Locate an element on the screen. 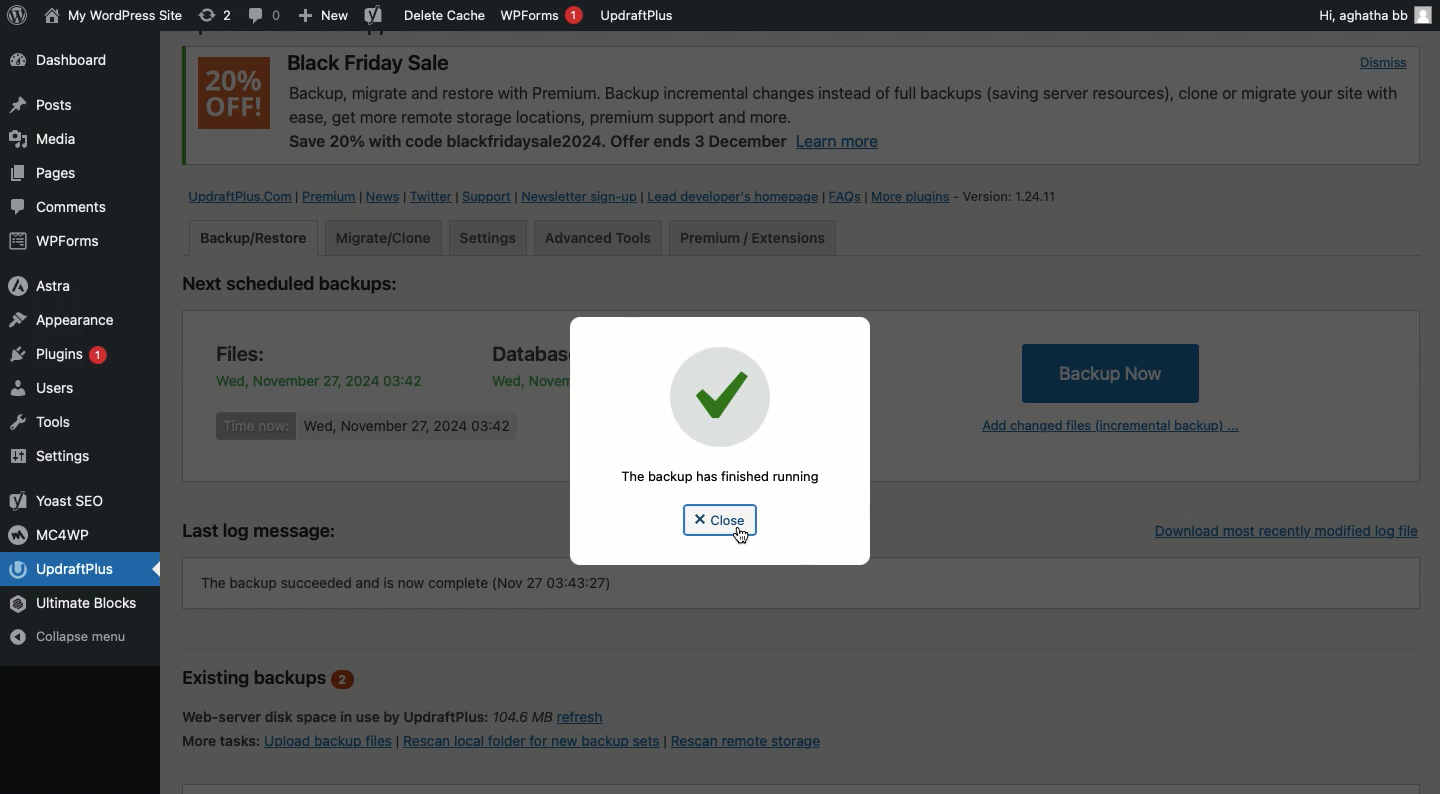 This screenshot has height=794, width=1440. FAQs is located at coordinates (845, 198).